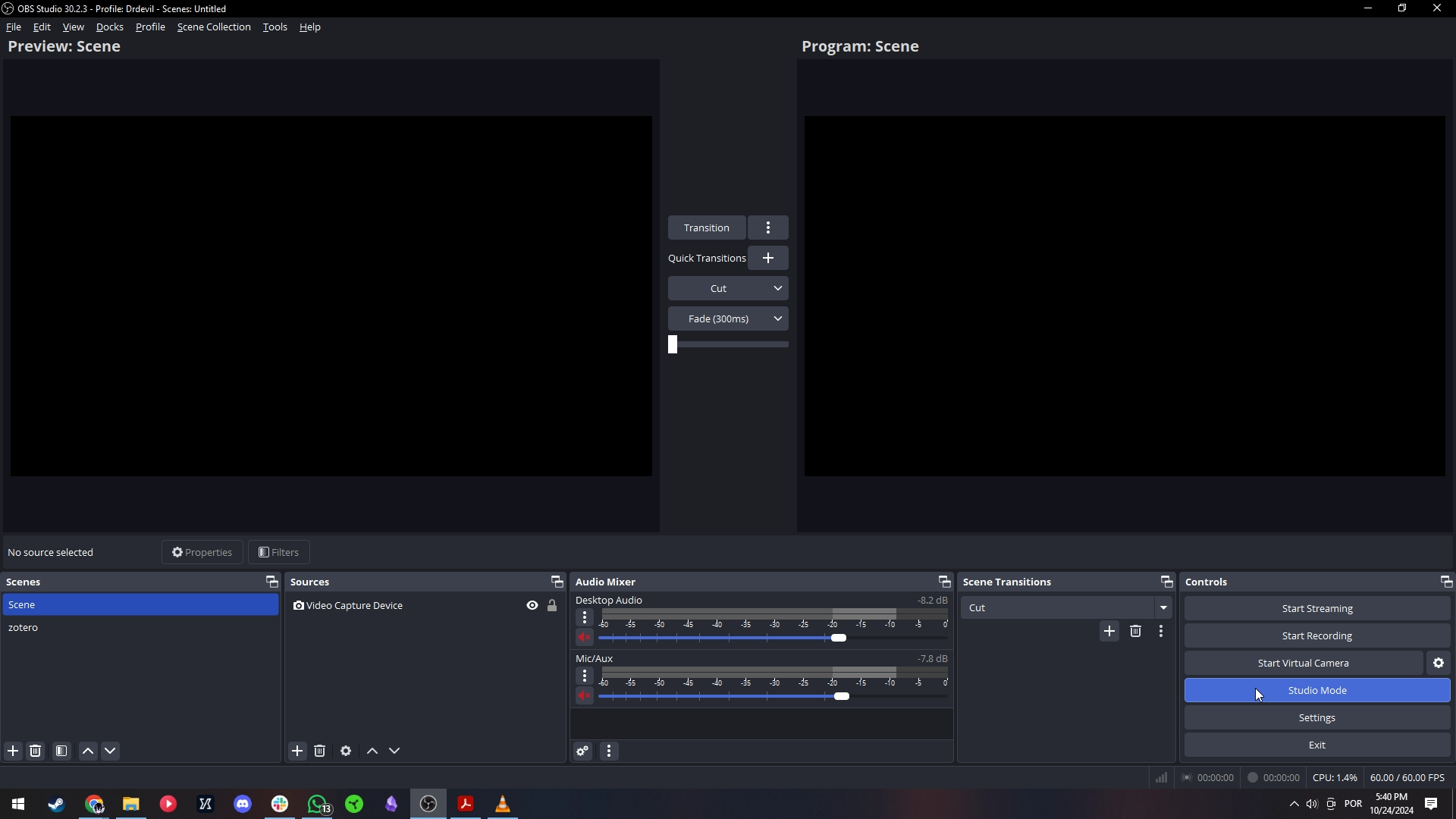 This screenshot has width=1456, height=819. I want to click on Add scene, so click(14, 752).